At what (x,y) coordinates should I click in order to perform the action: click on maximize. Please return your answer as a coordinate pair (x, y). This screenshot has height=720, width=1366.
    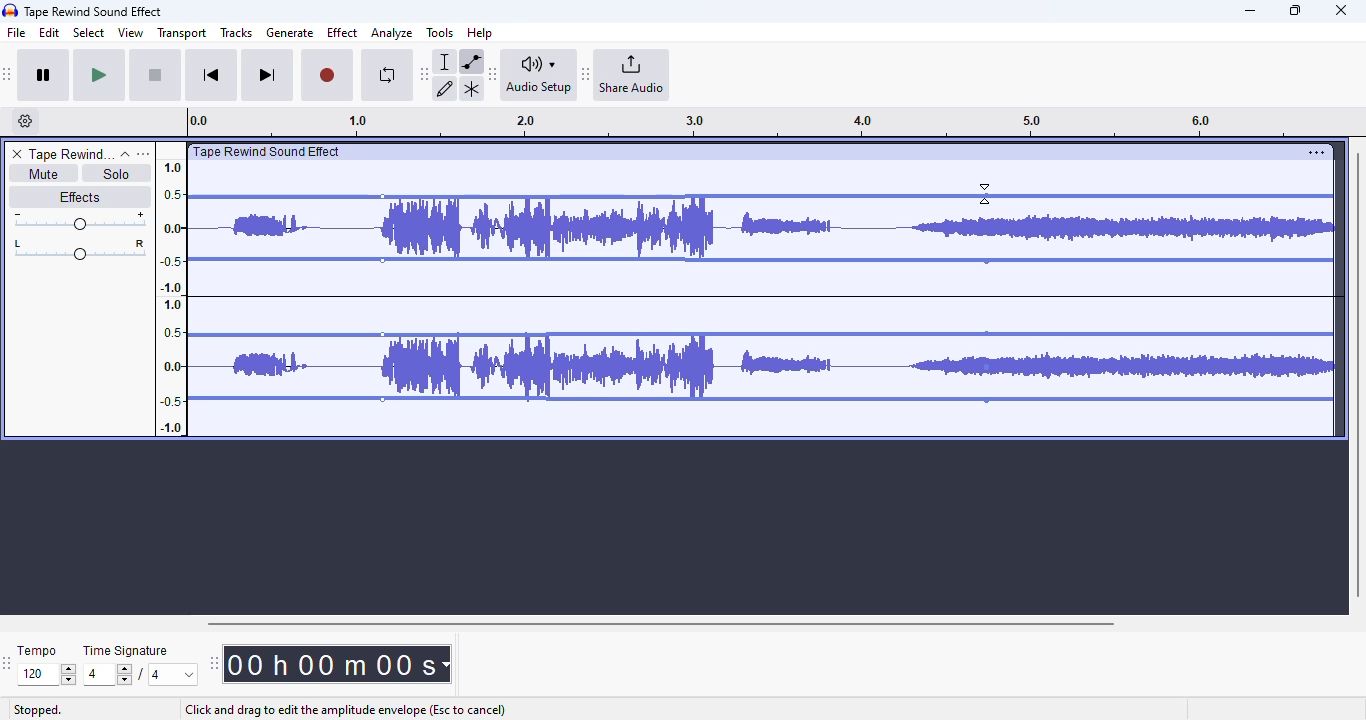
    Looking at the image, I should click on (1295, 10).